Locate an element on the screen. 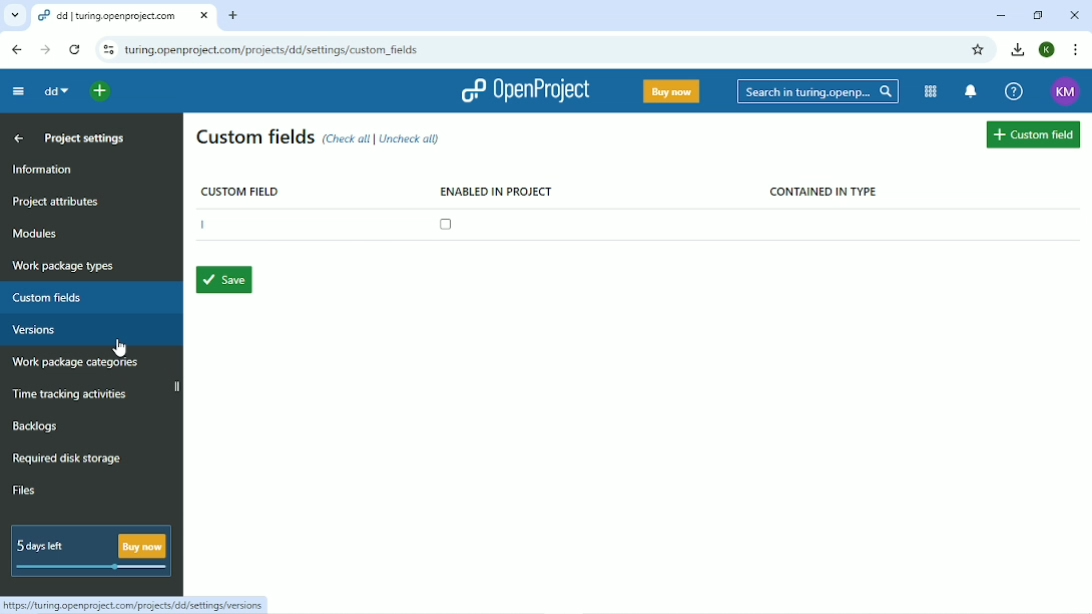  Modules is located at coordinates (36, 233).